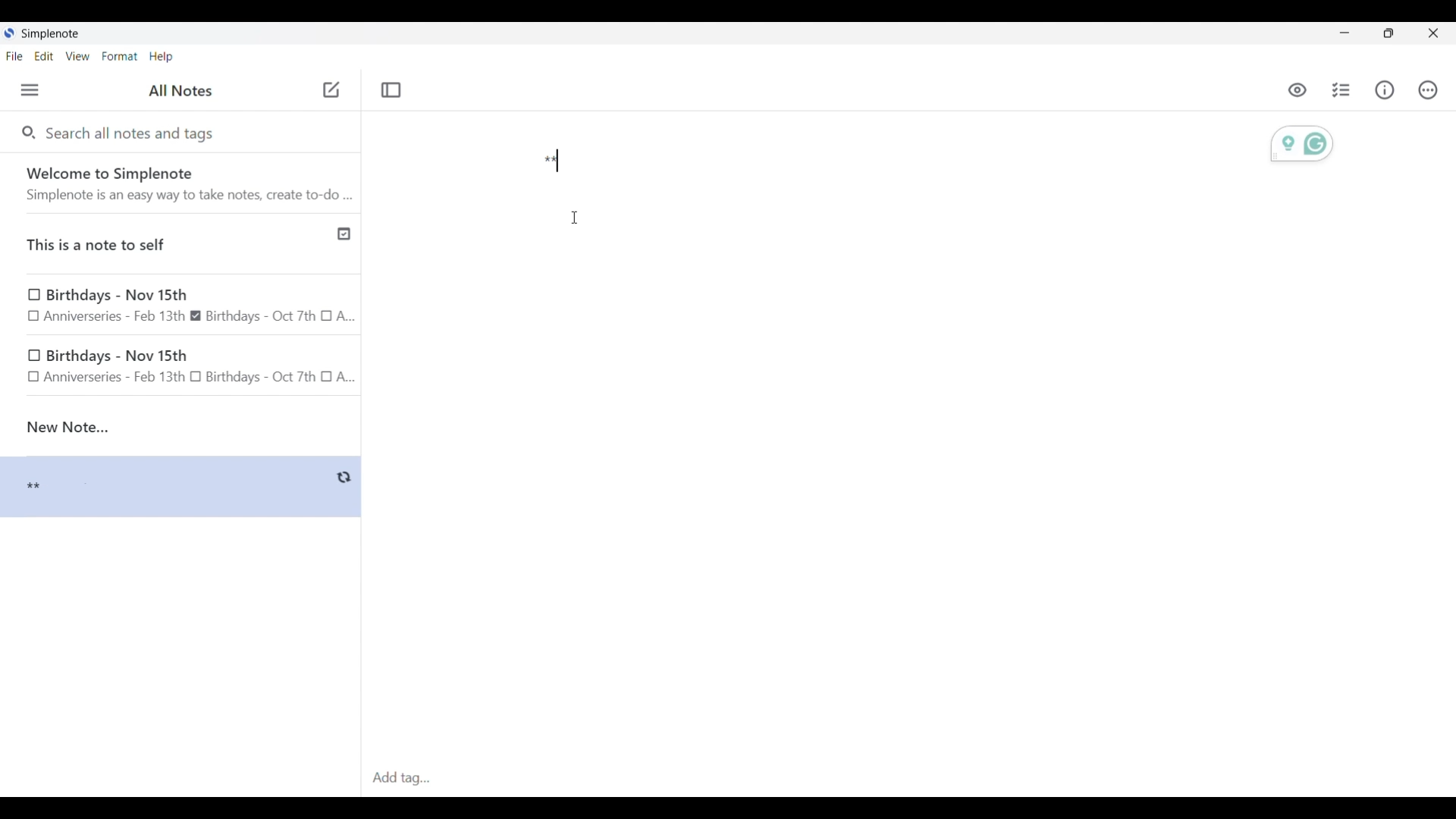 The height and width of the screenshot is (819, 1456). Describe the element at coordinates (182, 369) in the screenshot. I see `birthday note` at that location.